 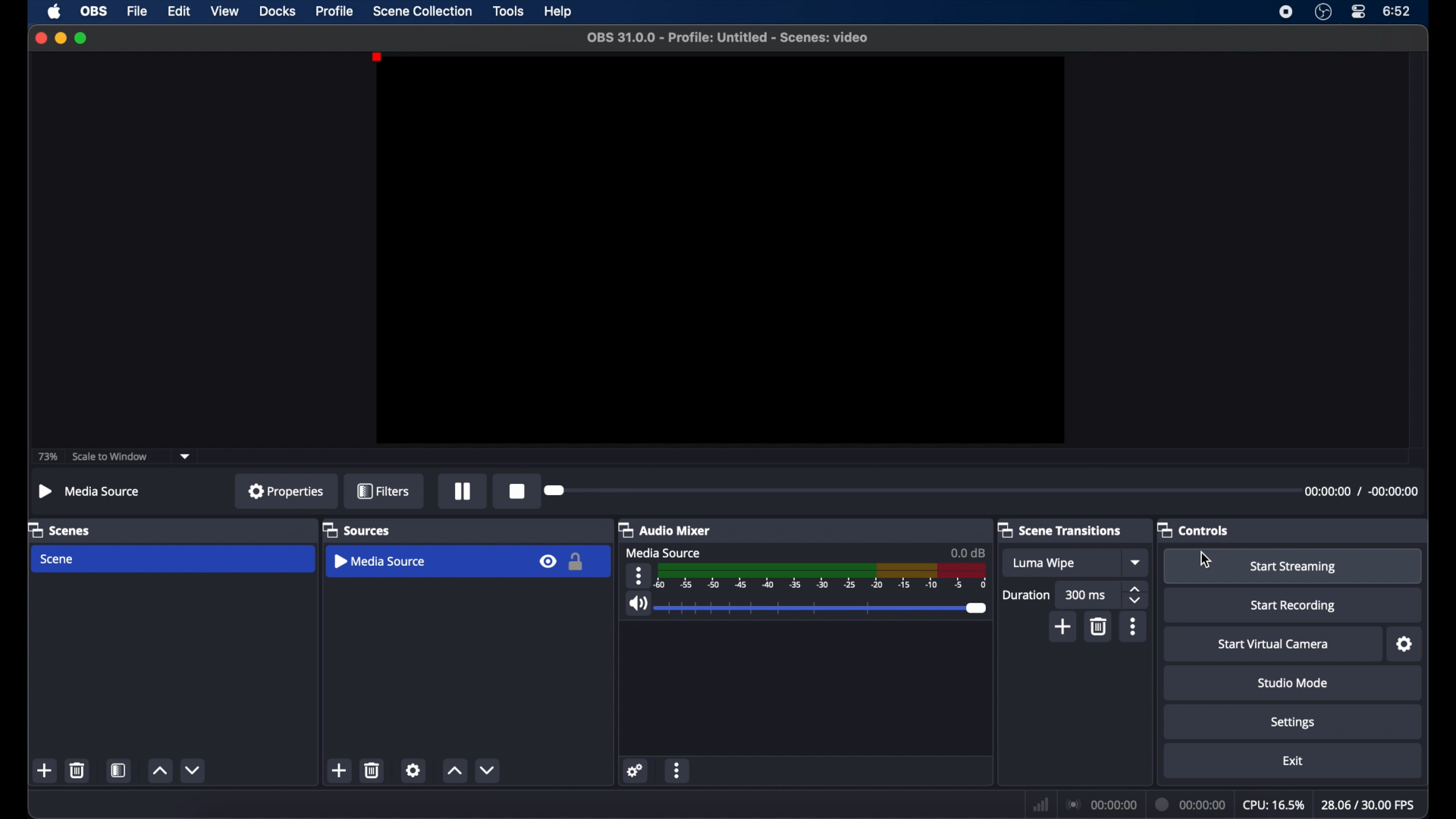 What do you see at coordinates (415, 770) in the screenshot?
I see `settings` at bounding box center [415, 770].